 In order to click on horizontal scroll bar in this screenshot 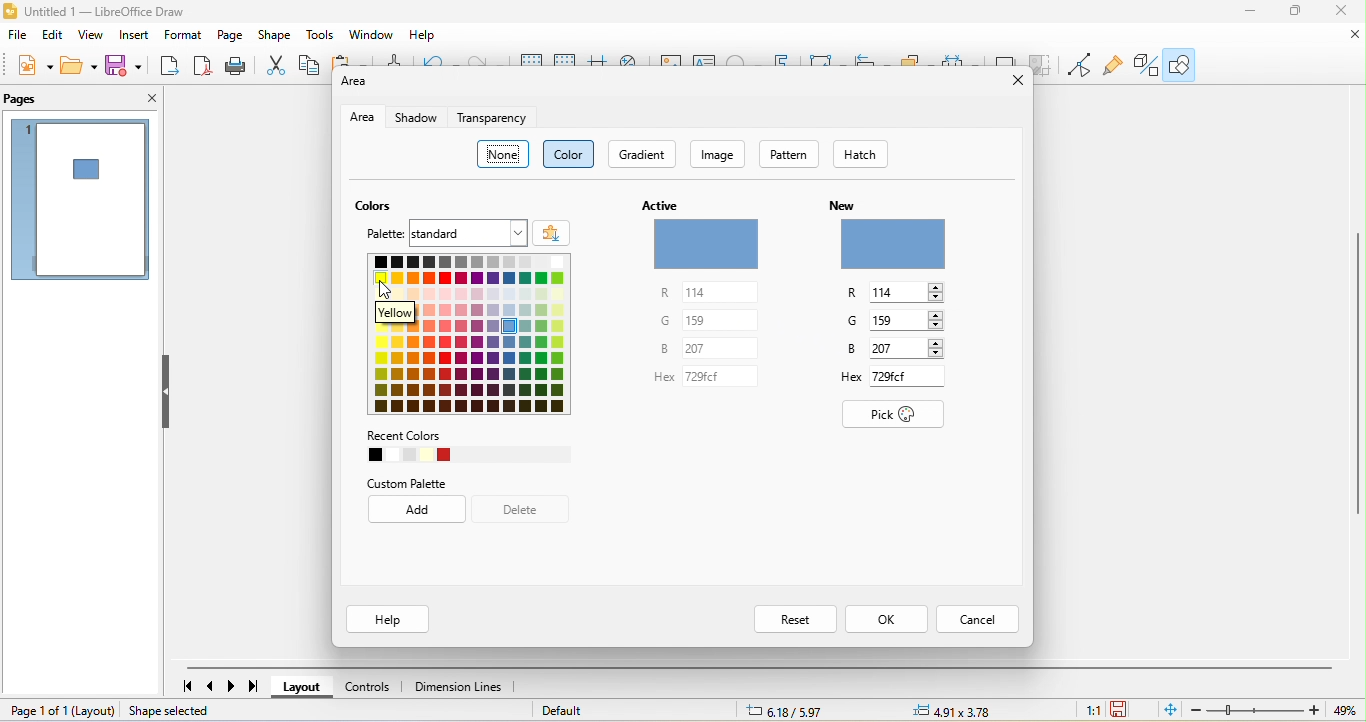, I will do `click(760, 664)`.